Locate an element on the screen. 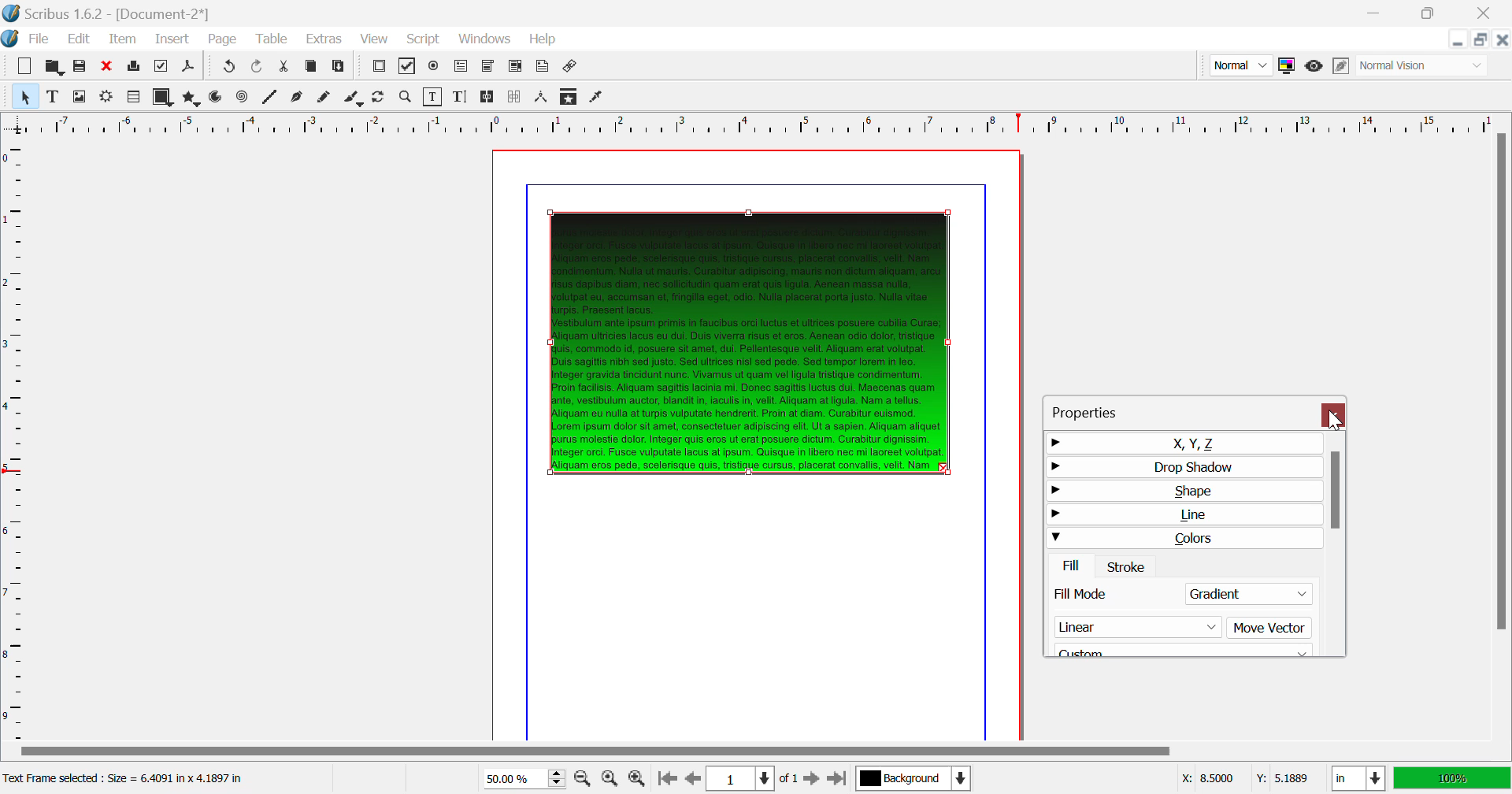  Text Frame is located at coordinates (53, 96).